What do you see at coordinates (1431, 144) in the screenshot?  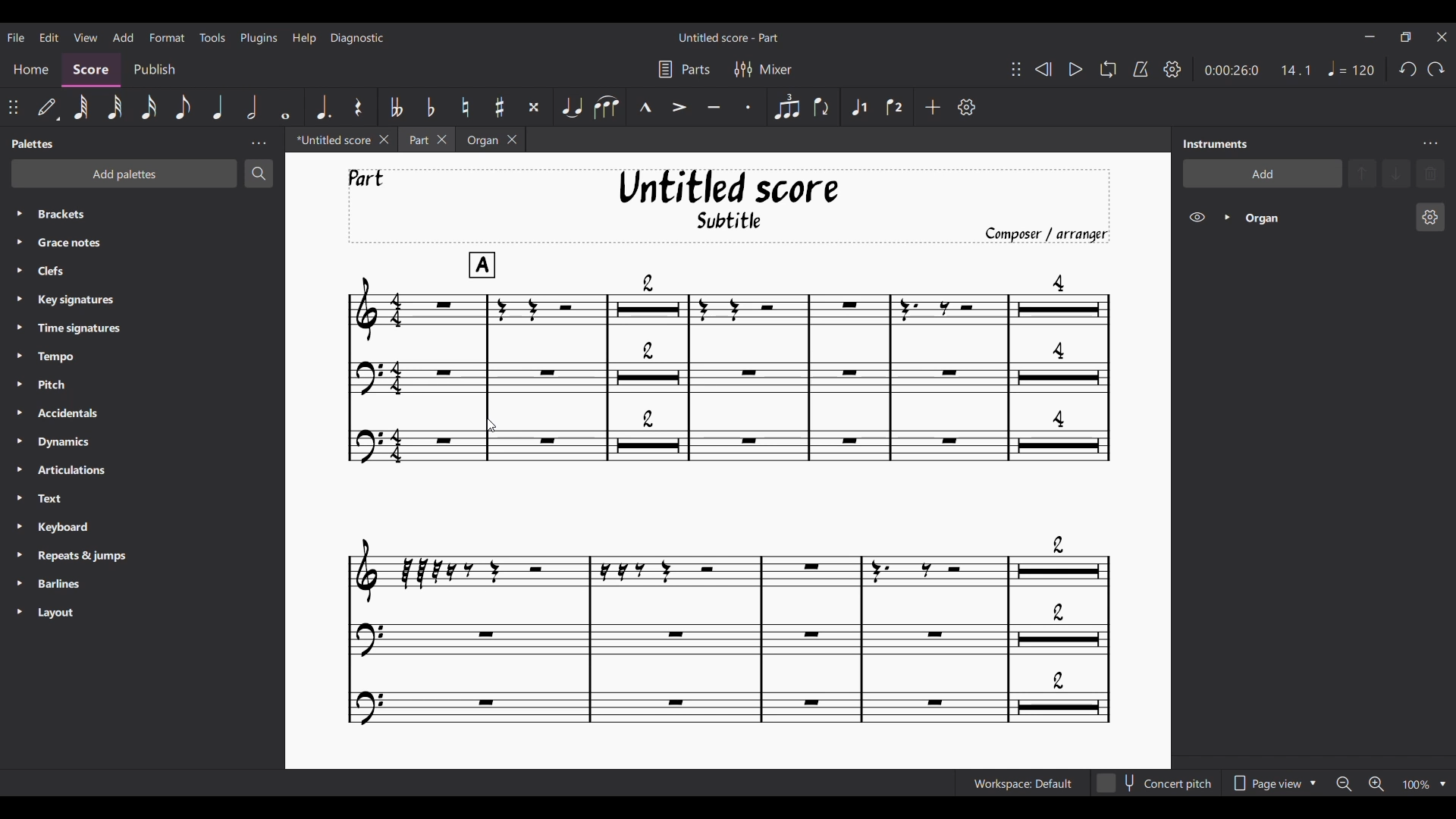 I see `Instrument settings` at bounding box center [1431, 144].